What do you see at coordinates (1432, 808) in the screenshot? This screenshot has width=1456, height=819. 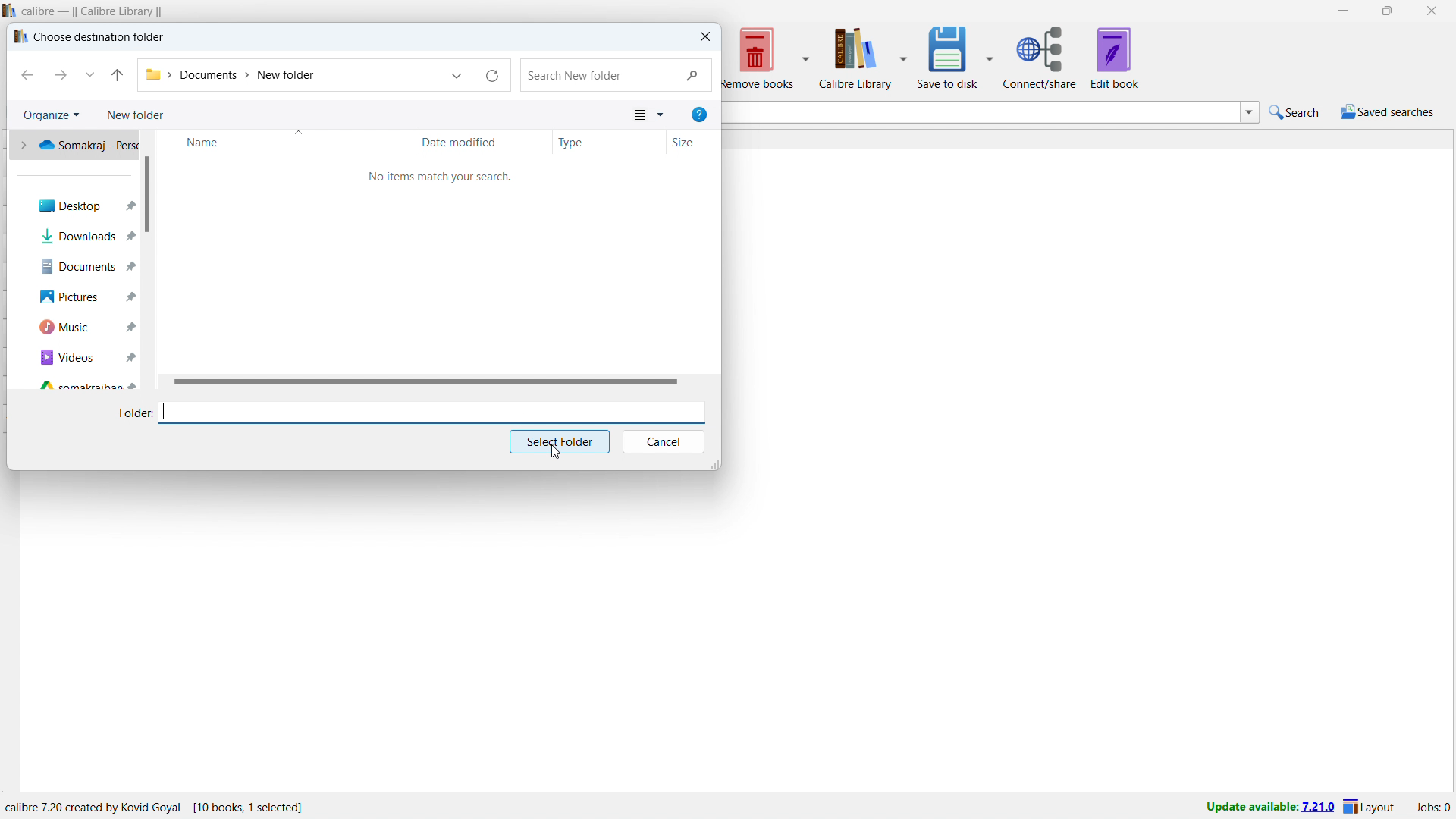 I see `active jobs` at bounding box center [1432, 808].